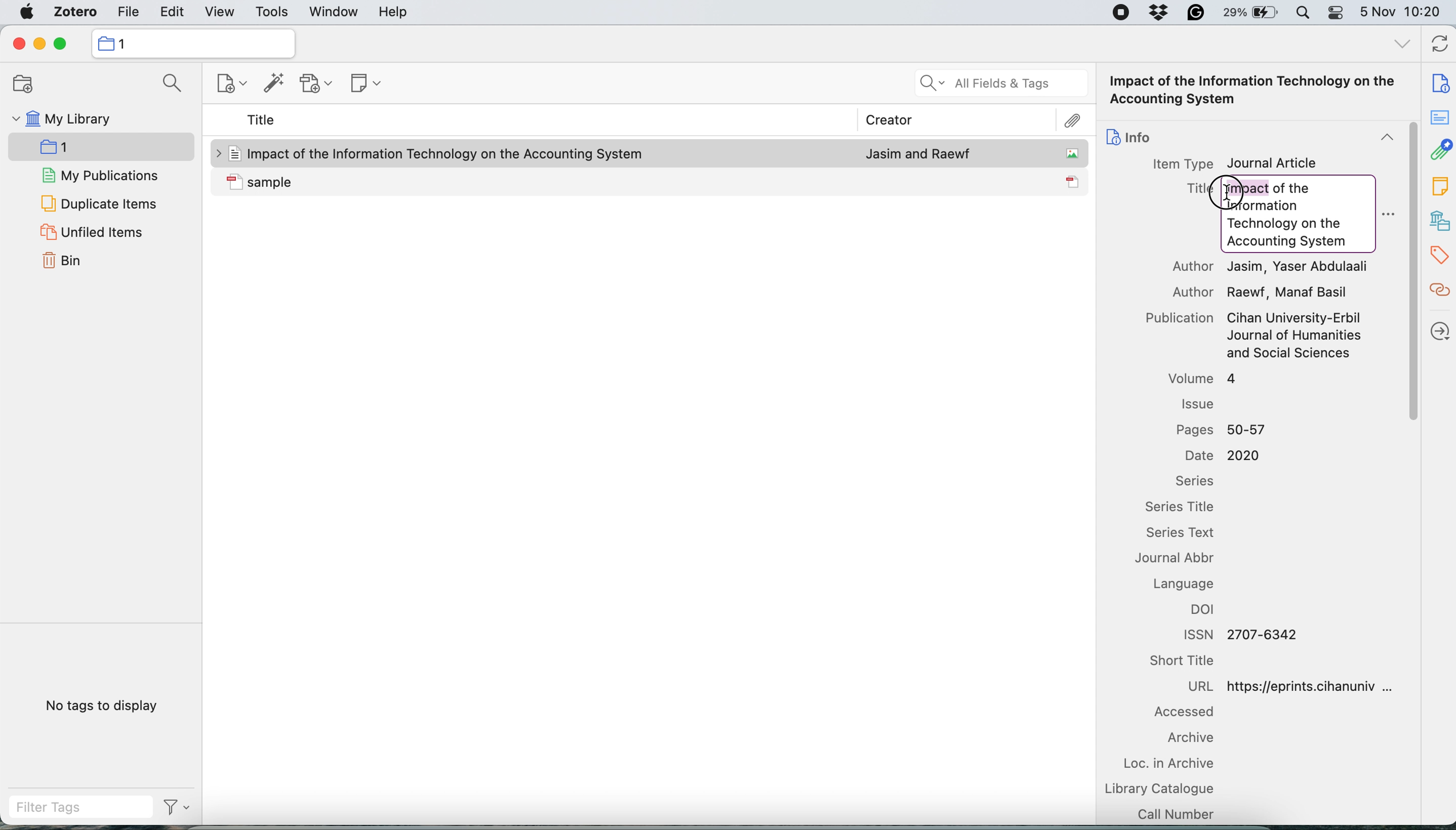 The width and height of the screenshot is (1456, 830). What do you see at coordinates (1073, 153) in the screenshot?
I see `icon` at bounding box center [1073, 153].